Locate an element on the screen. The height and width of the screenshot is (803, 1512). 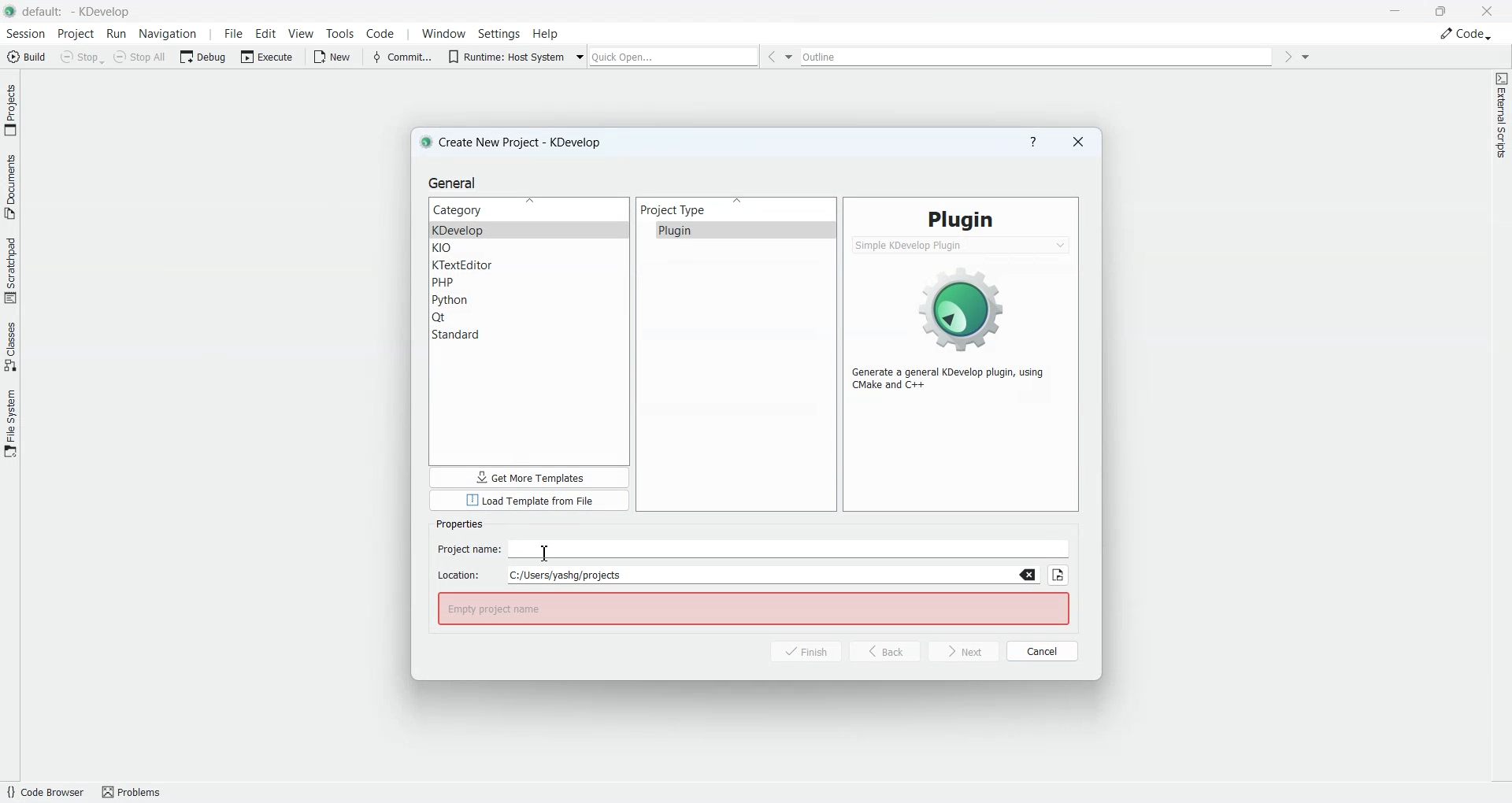
Text is located at coordinates (459, 524).